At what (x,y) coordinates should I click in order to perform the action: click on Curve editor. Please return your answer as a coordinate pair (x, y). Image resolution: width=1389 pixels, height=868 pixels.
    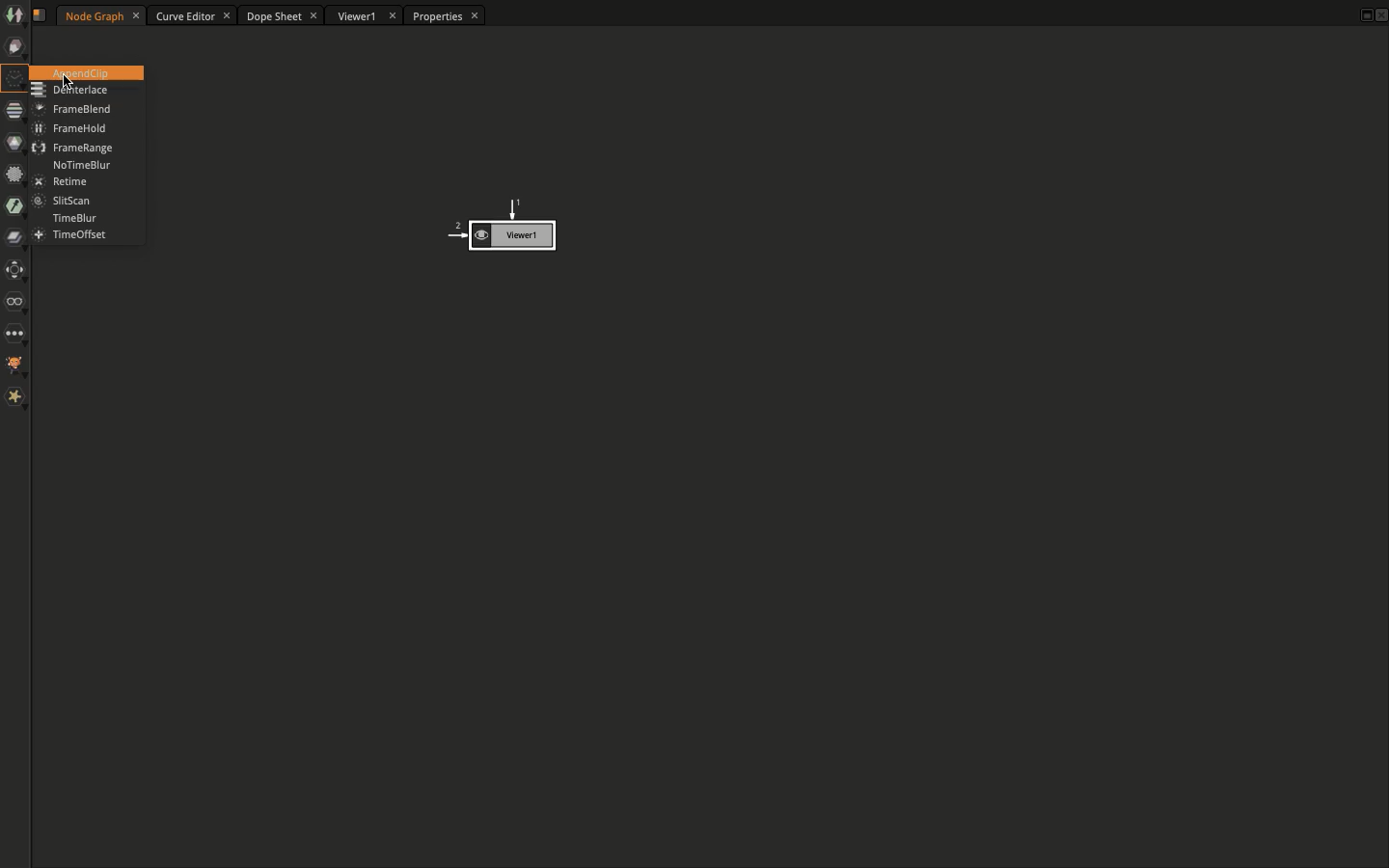
    Looking at the image, I should click on (193, 16).